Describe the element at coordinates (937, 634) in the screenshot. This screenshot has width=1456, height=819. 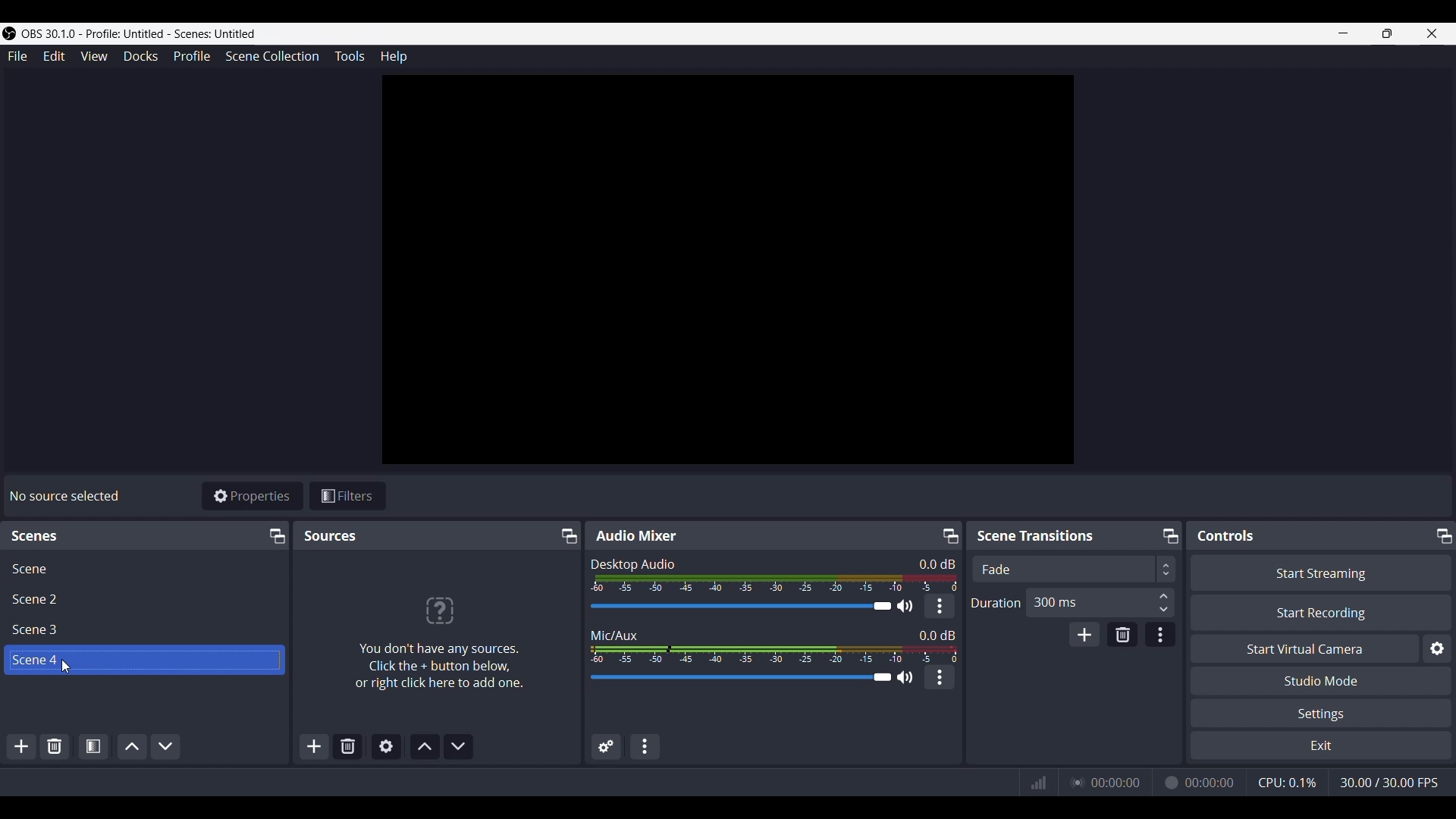
I see `Audio Level Indicator` at that location.